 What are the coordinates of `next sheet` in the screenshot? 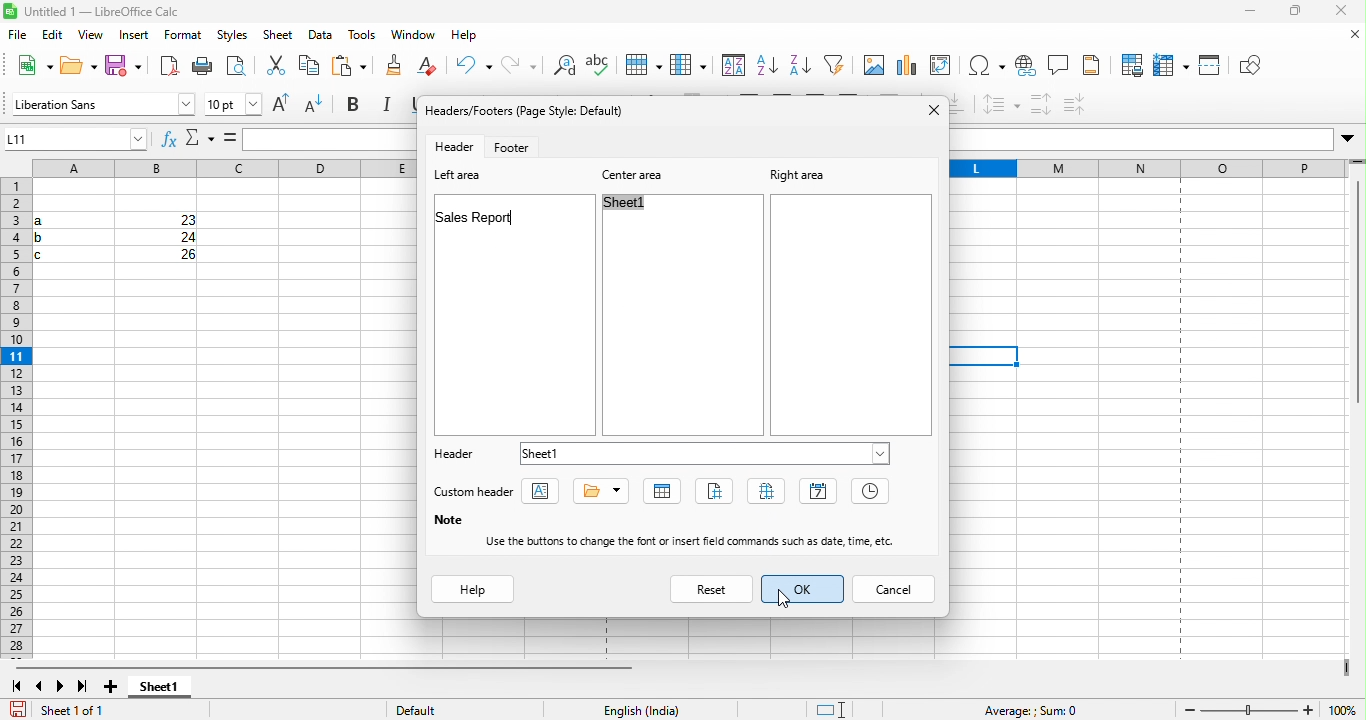 It's located at (61, 683).